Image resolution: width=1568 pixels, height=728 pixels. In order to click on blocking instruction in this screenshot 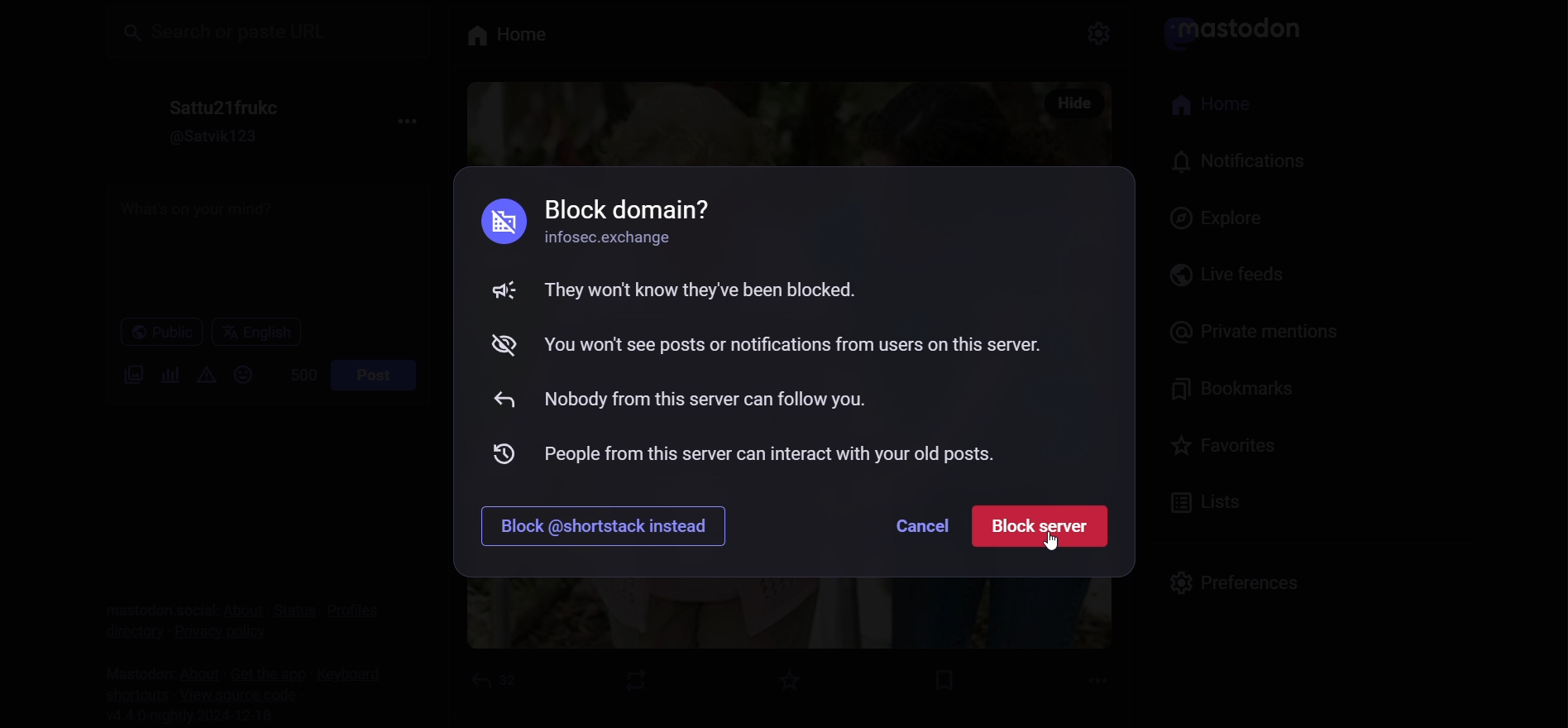, I will do `click(774, 334)`.